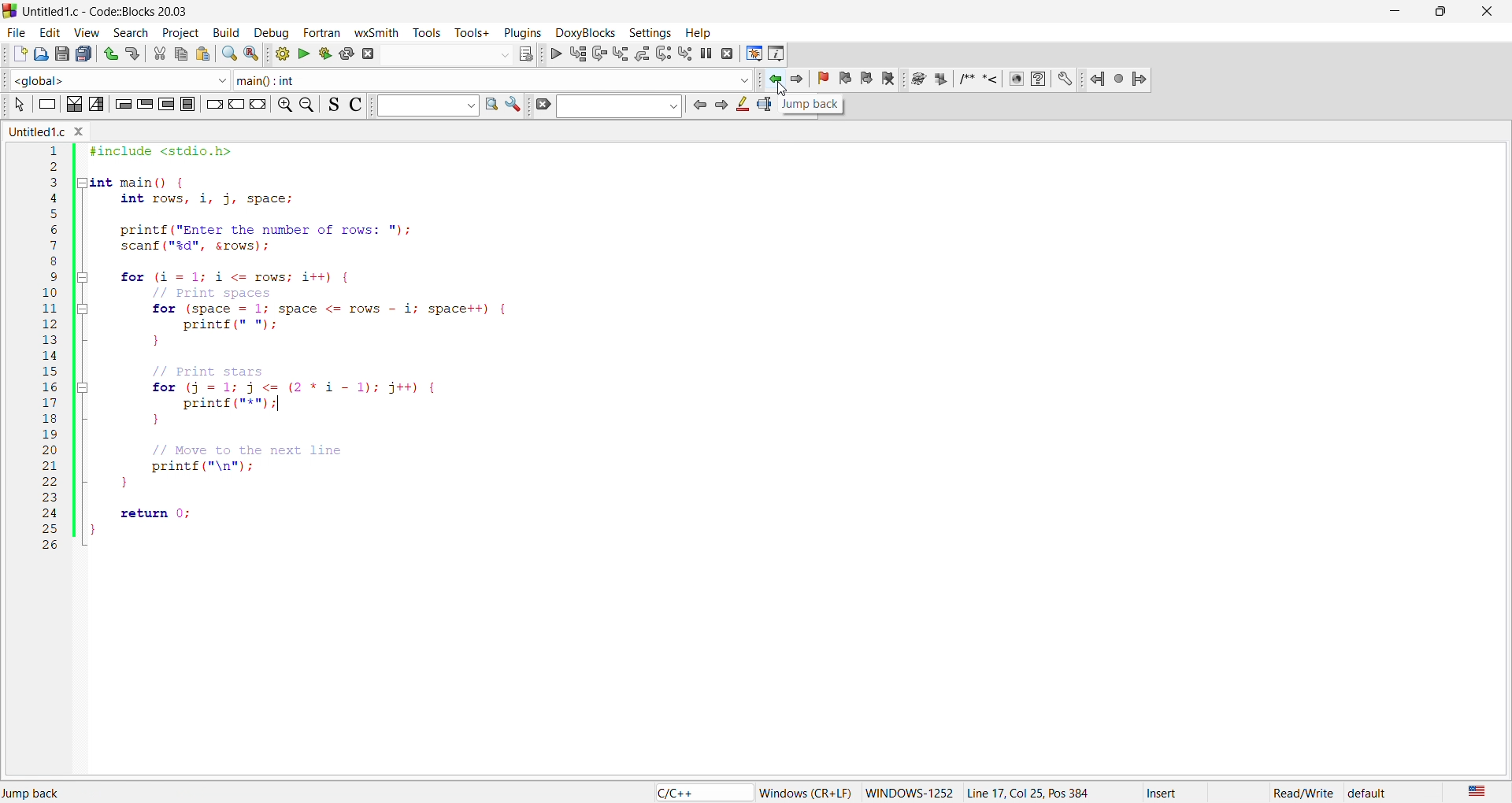  I want to click on replace, so click(250, 54).